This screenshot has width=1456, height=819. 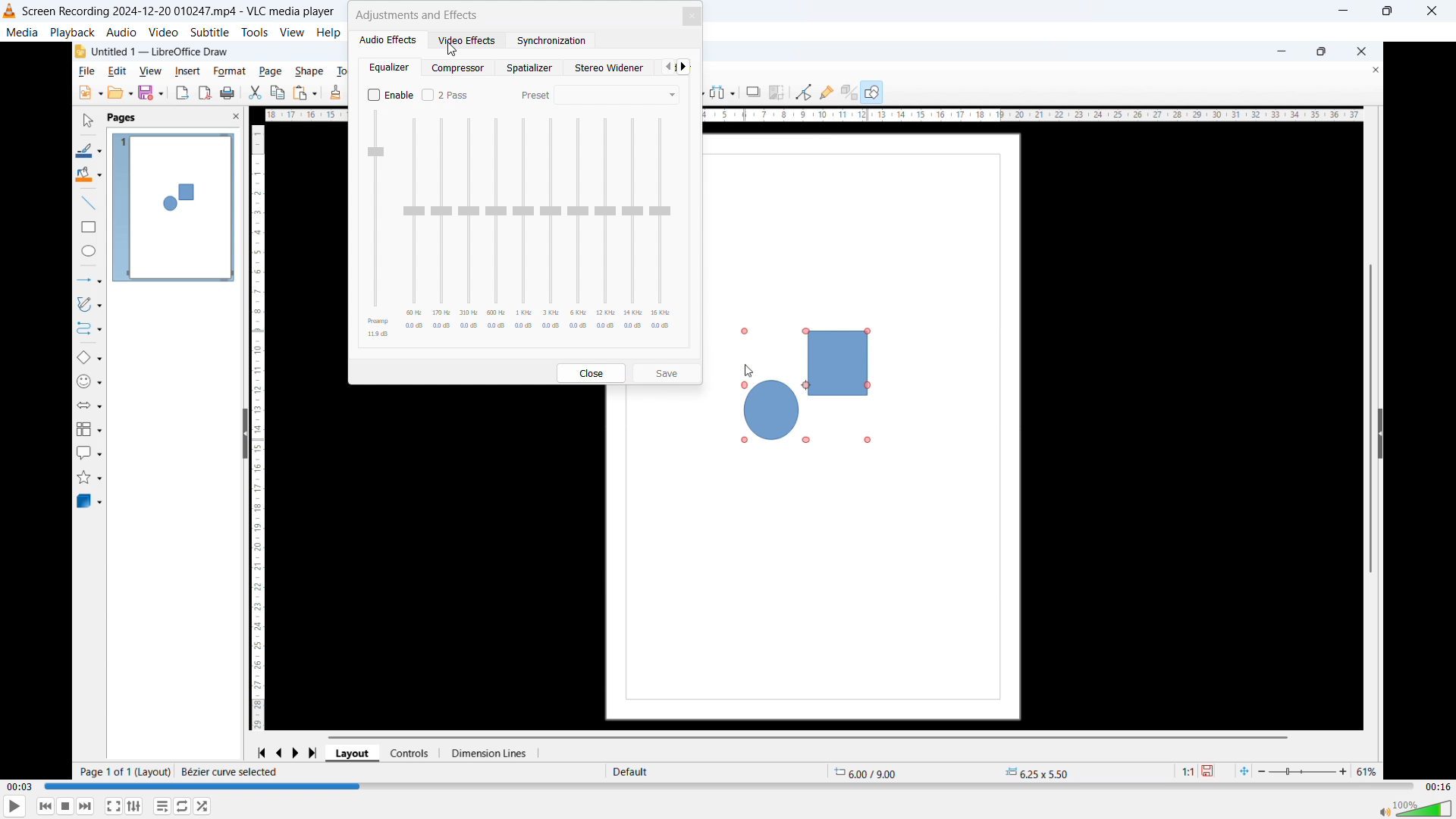 What do you see at coordinates (21, 787) in the screenshot?
I see `Time elapsed` at bounding box center [21, 787].